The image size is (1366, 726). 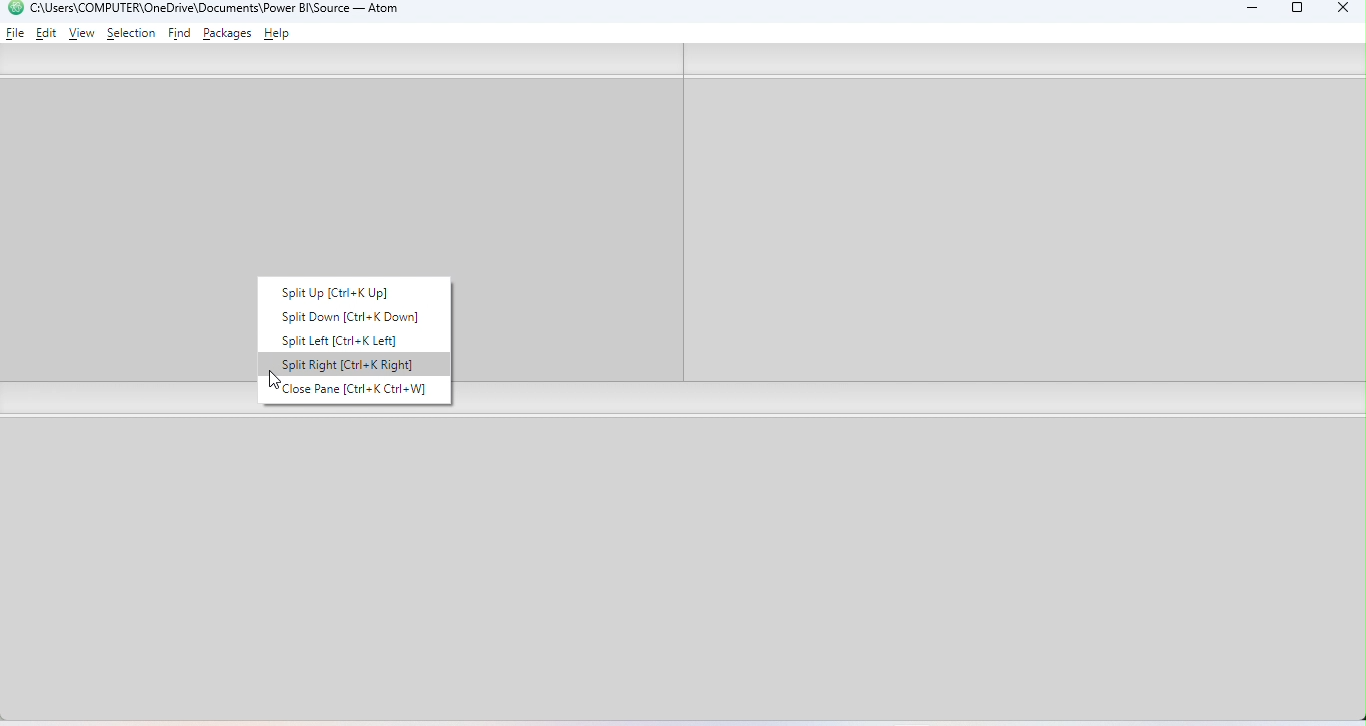 I want to click on Packages, so click(x=230, y=33).